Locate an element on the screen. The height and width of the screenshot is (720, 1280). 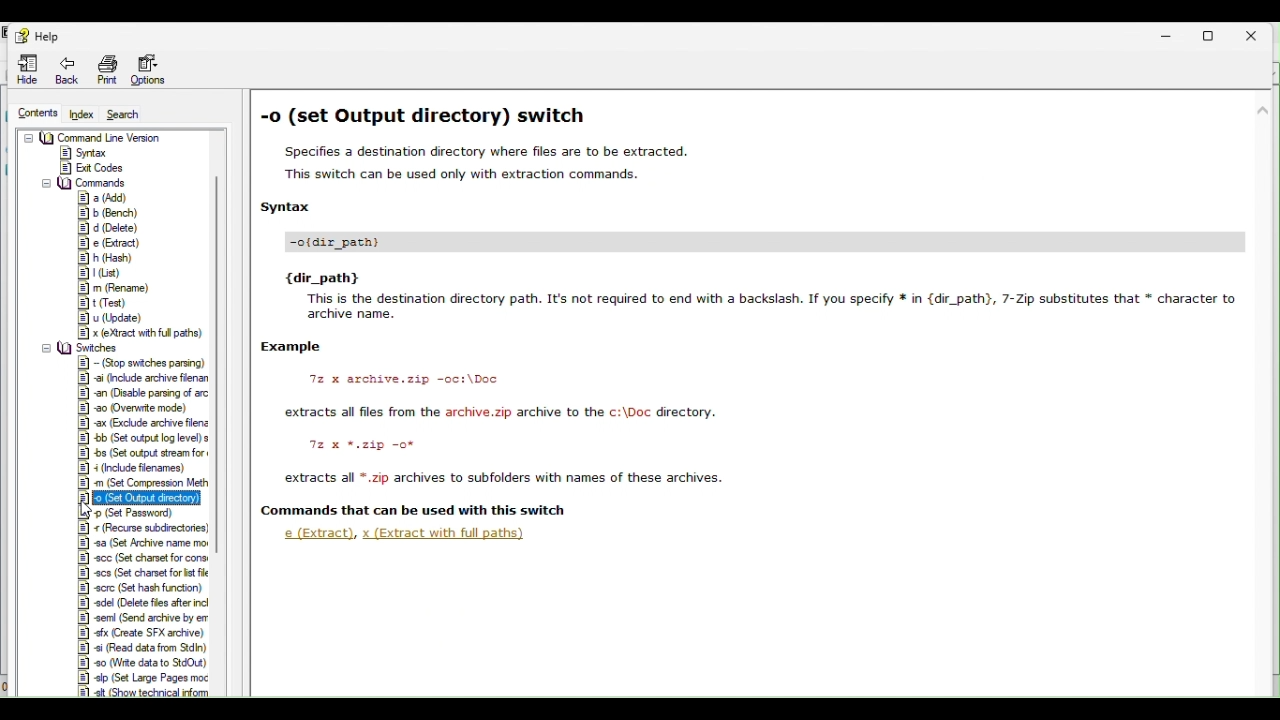
Set output directory page is located at coordinates (761, 307).